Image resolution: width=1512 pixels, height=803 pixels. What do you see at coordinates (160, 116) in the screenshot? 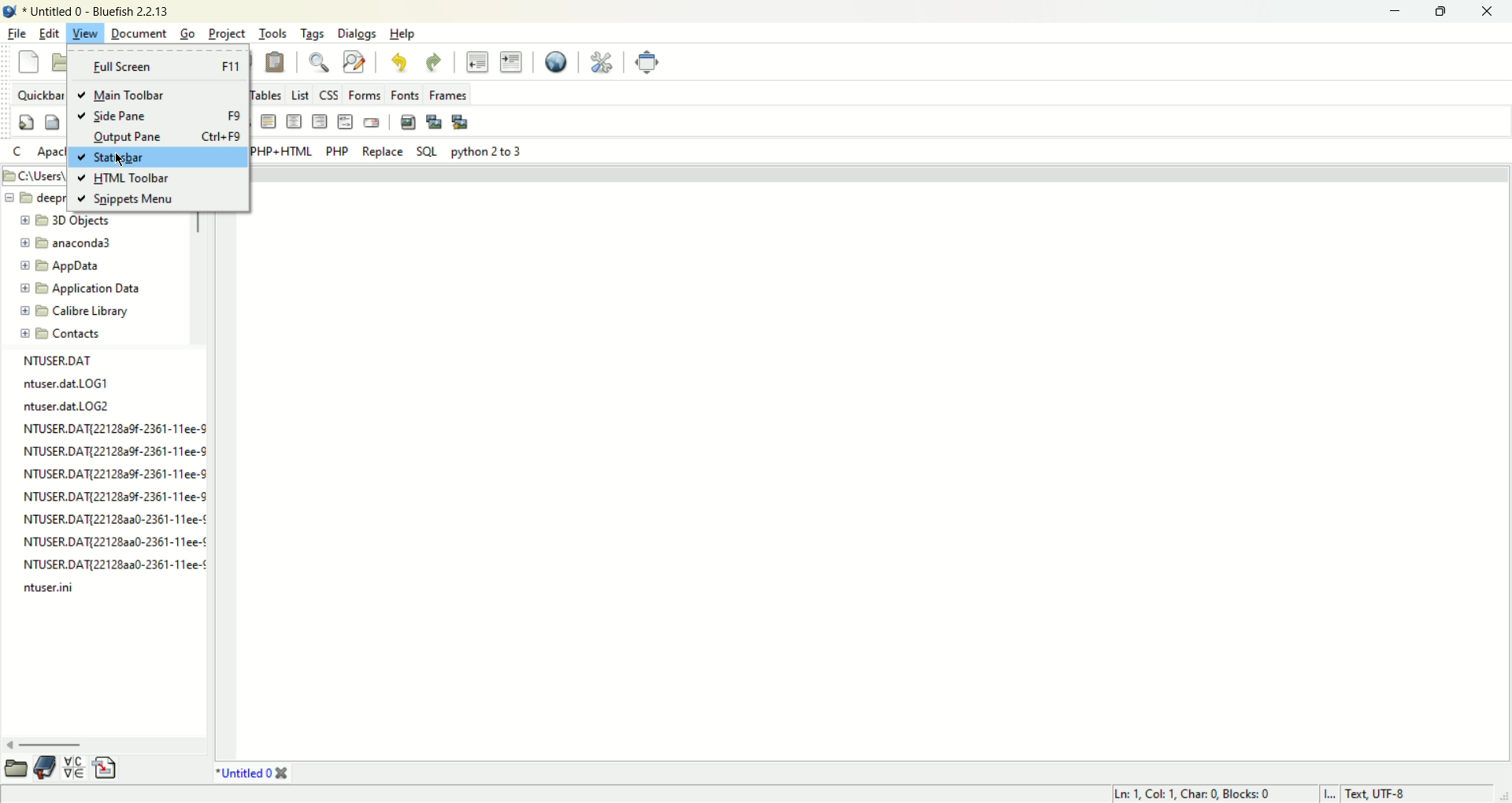
I see `side pane` at bounding box center [160, 116].